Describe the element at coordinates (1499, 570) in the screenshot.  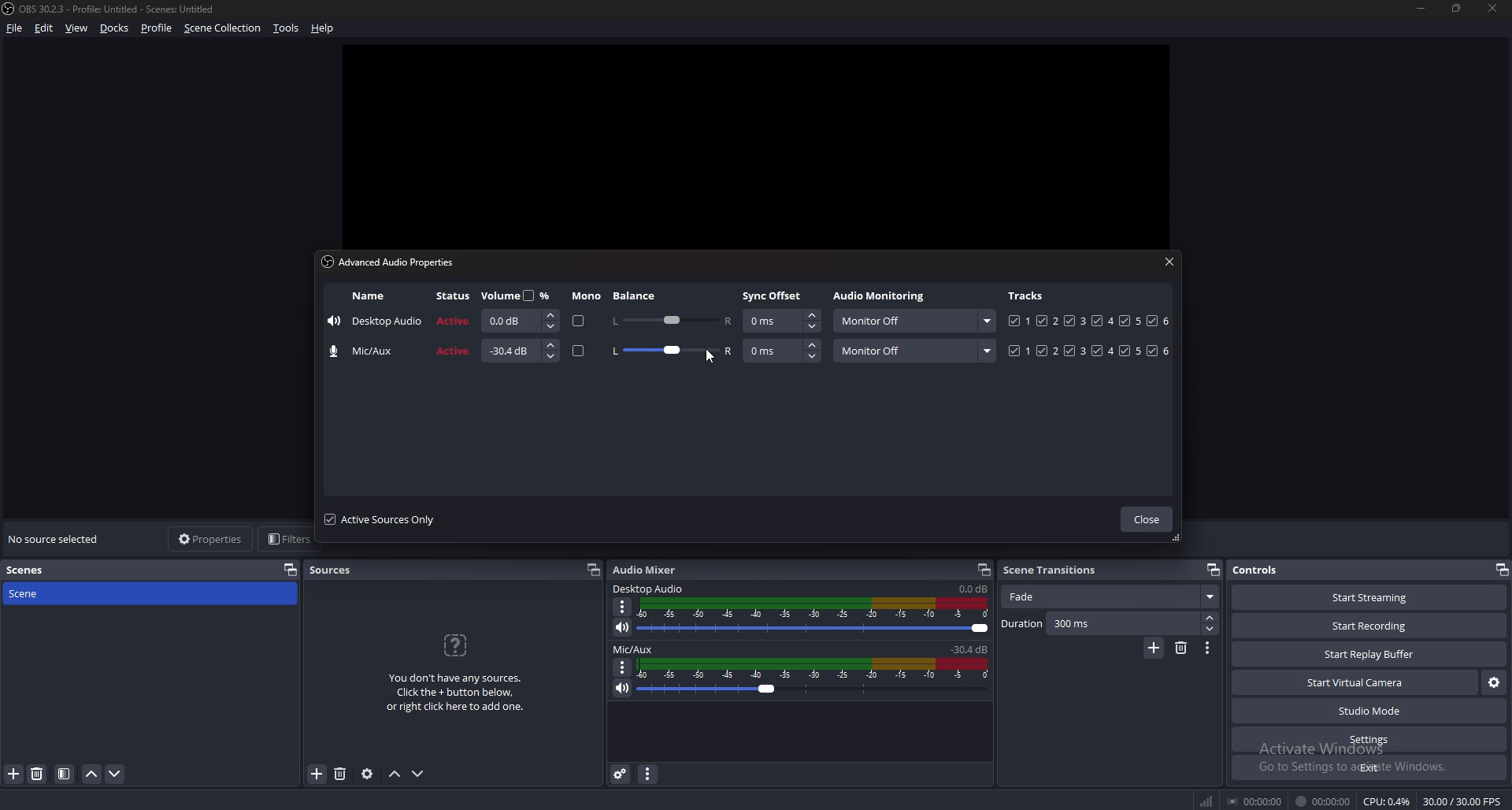
I see `pop out` at that location.